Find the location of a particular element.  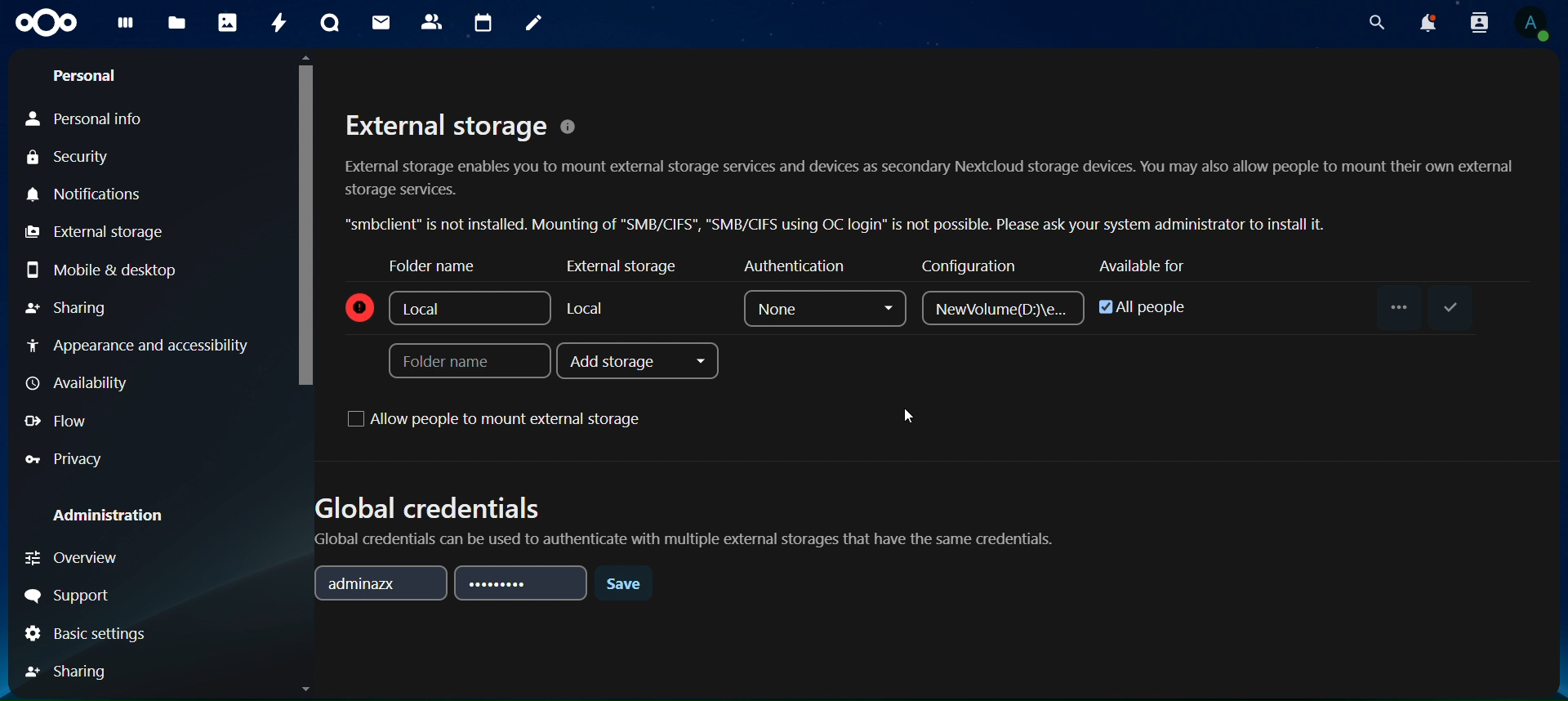

privacy is located at coordinates (64, 458).